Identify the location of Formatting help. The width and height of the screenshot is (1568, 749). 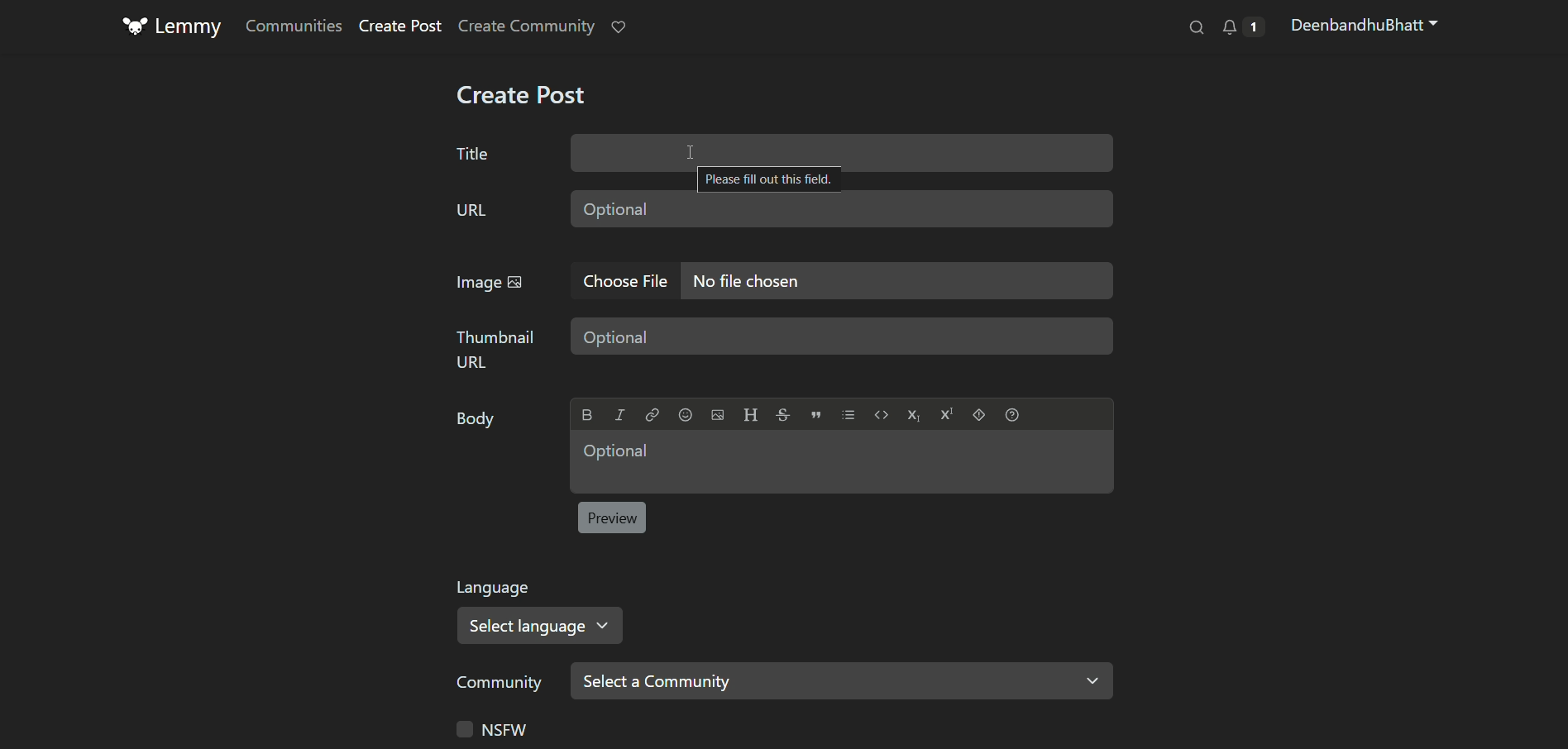
(1012, 414).